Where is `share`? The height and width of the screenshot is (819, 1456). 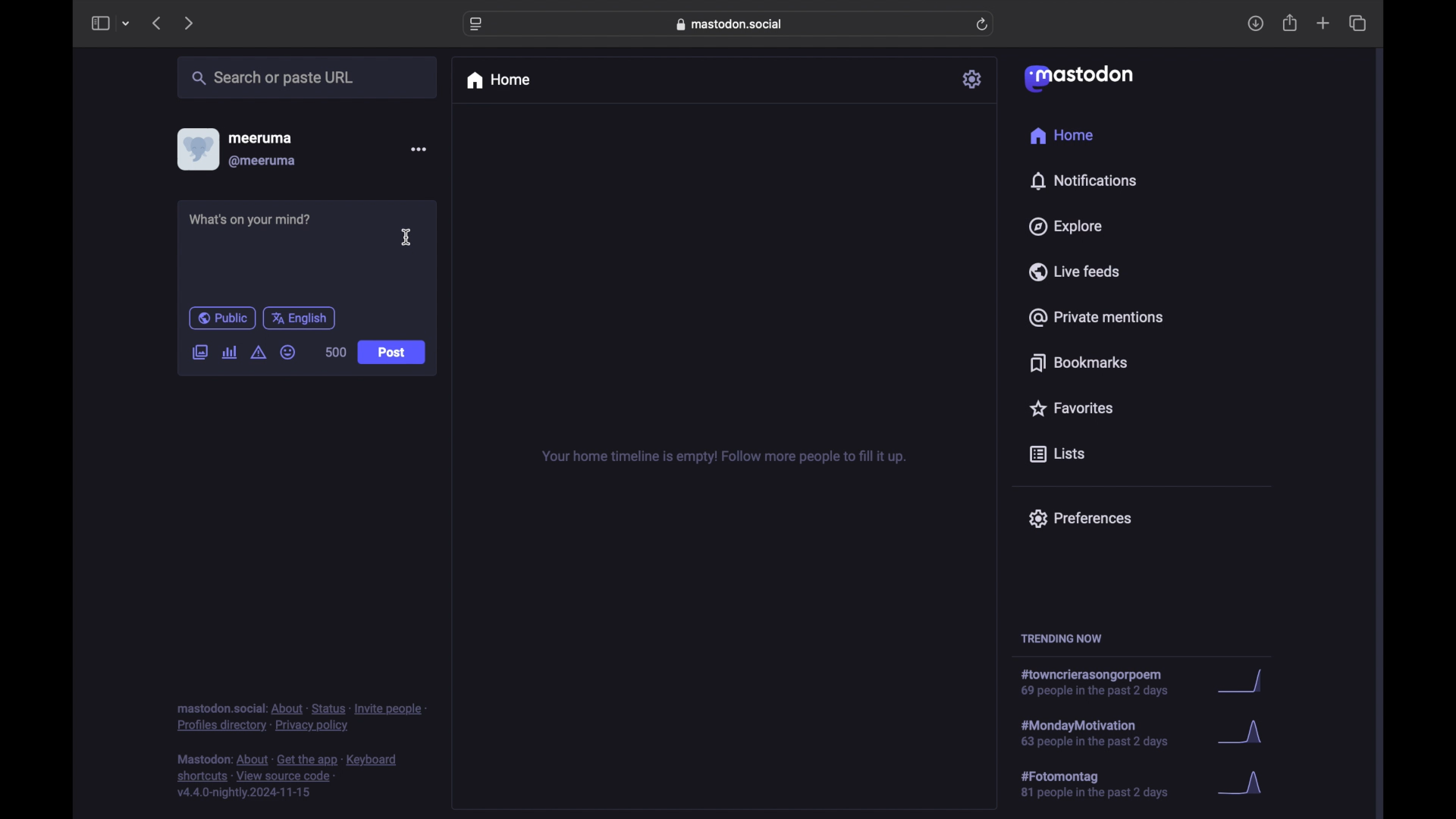
share is located at coordinates (1291, 24).